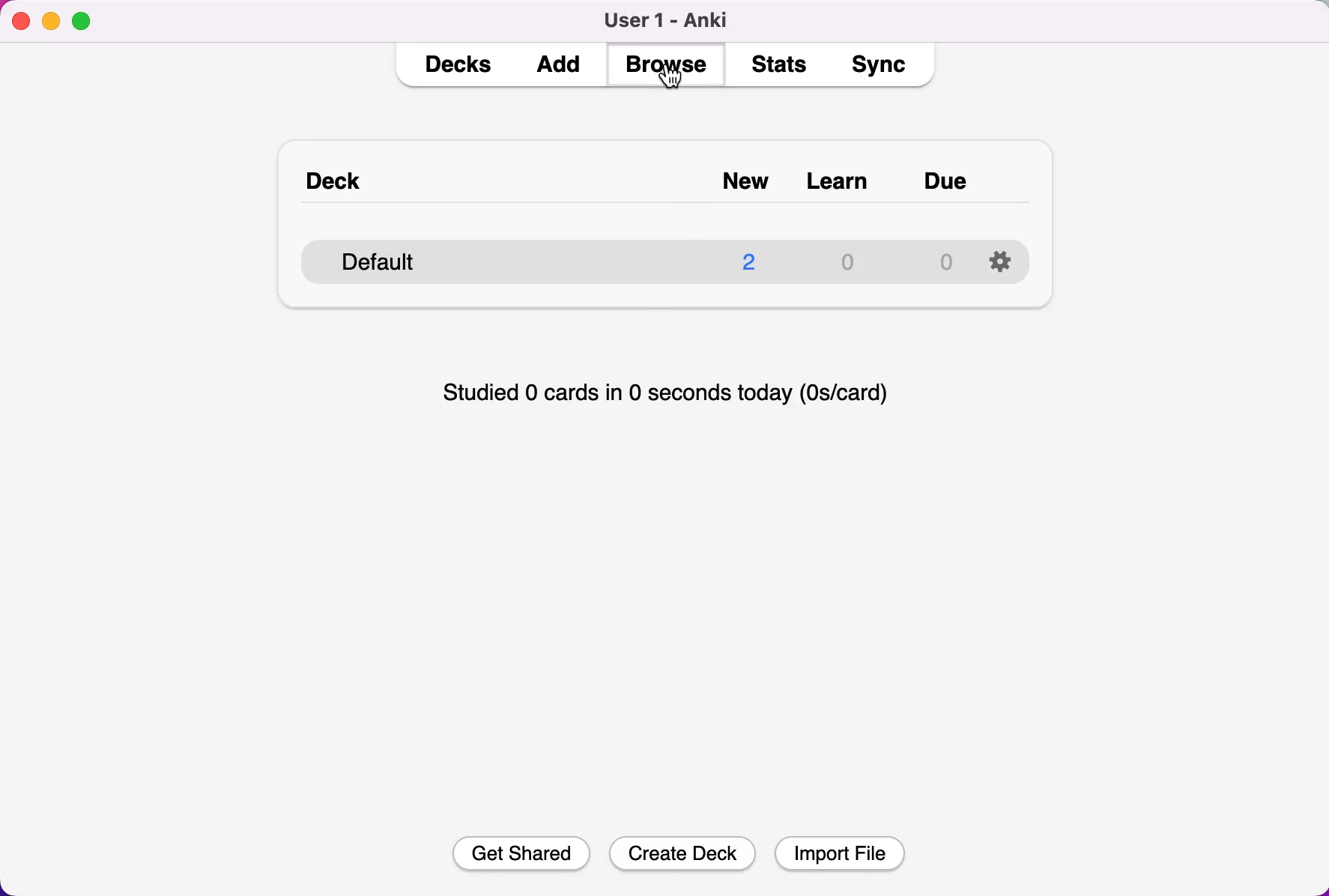  Describe the element at coordinates (841, 189) in the screenshot. I see `learn` at that location.